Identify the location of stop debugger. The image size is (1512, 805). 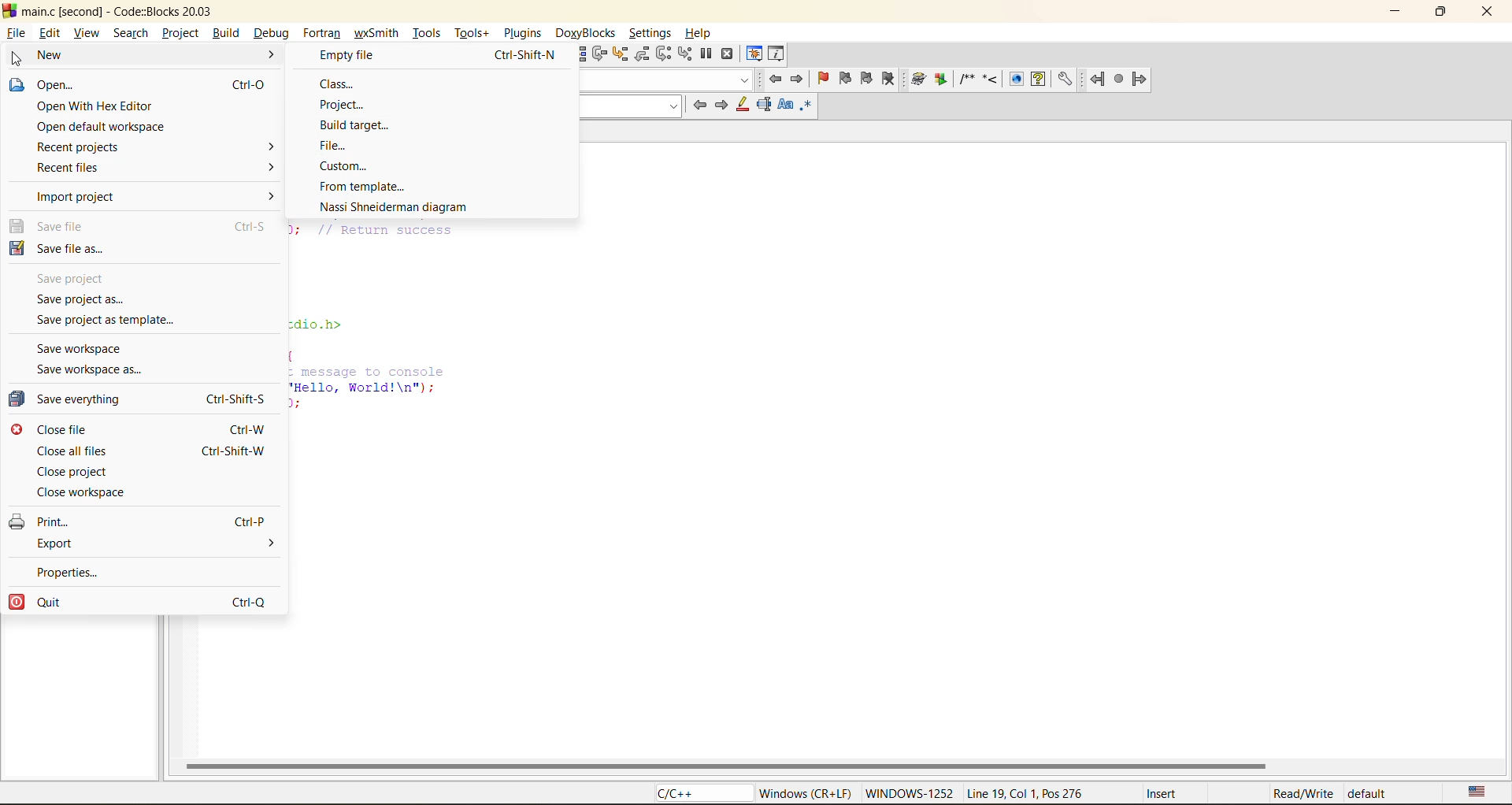
(726, 54).